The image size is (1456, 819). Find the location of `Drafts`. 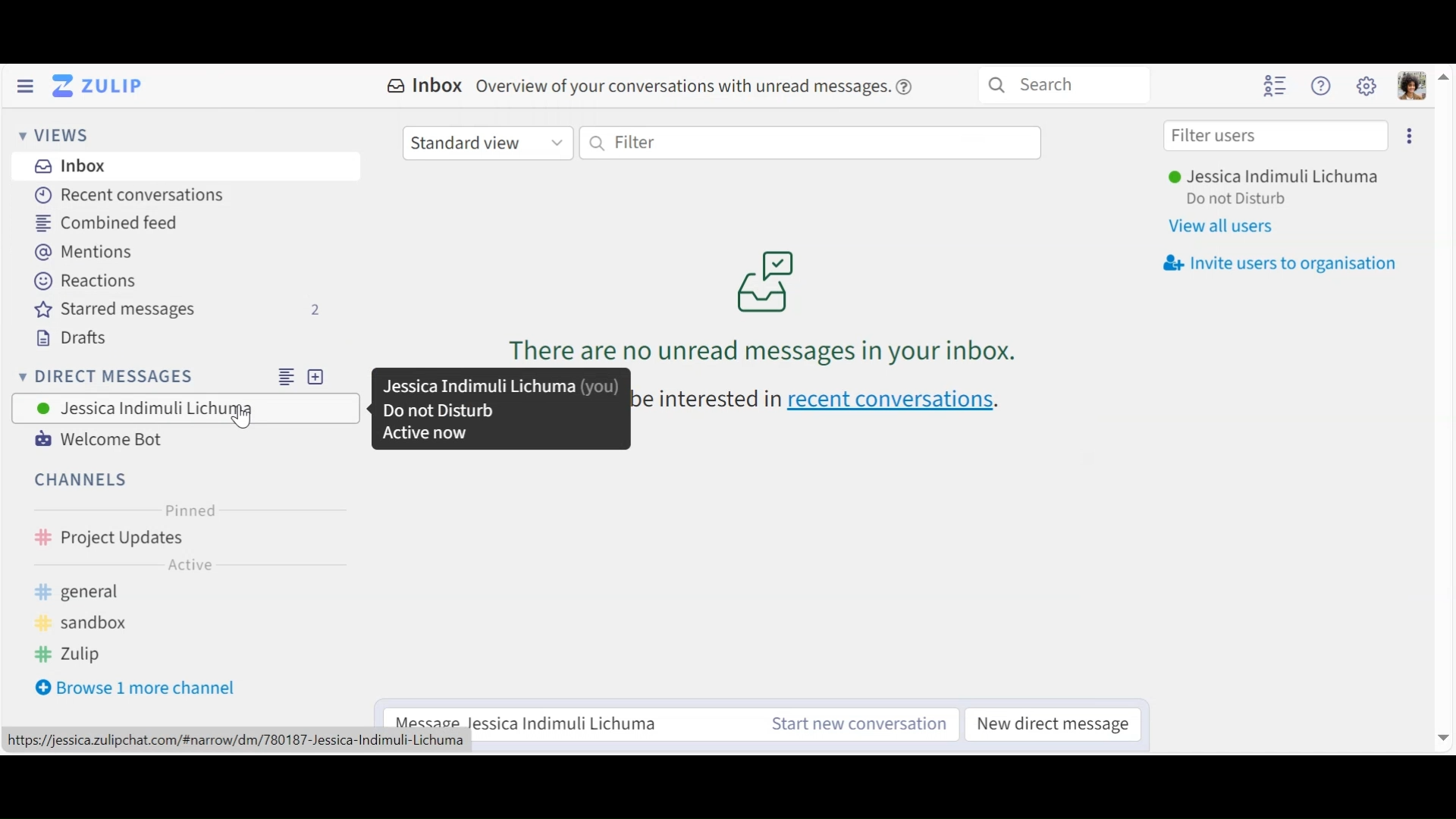

Drafts is located at coordinates (81, 340).